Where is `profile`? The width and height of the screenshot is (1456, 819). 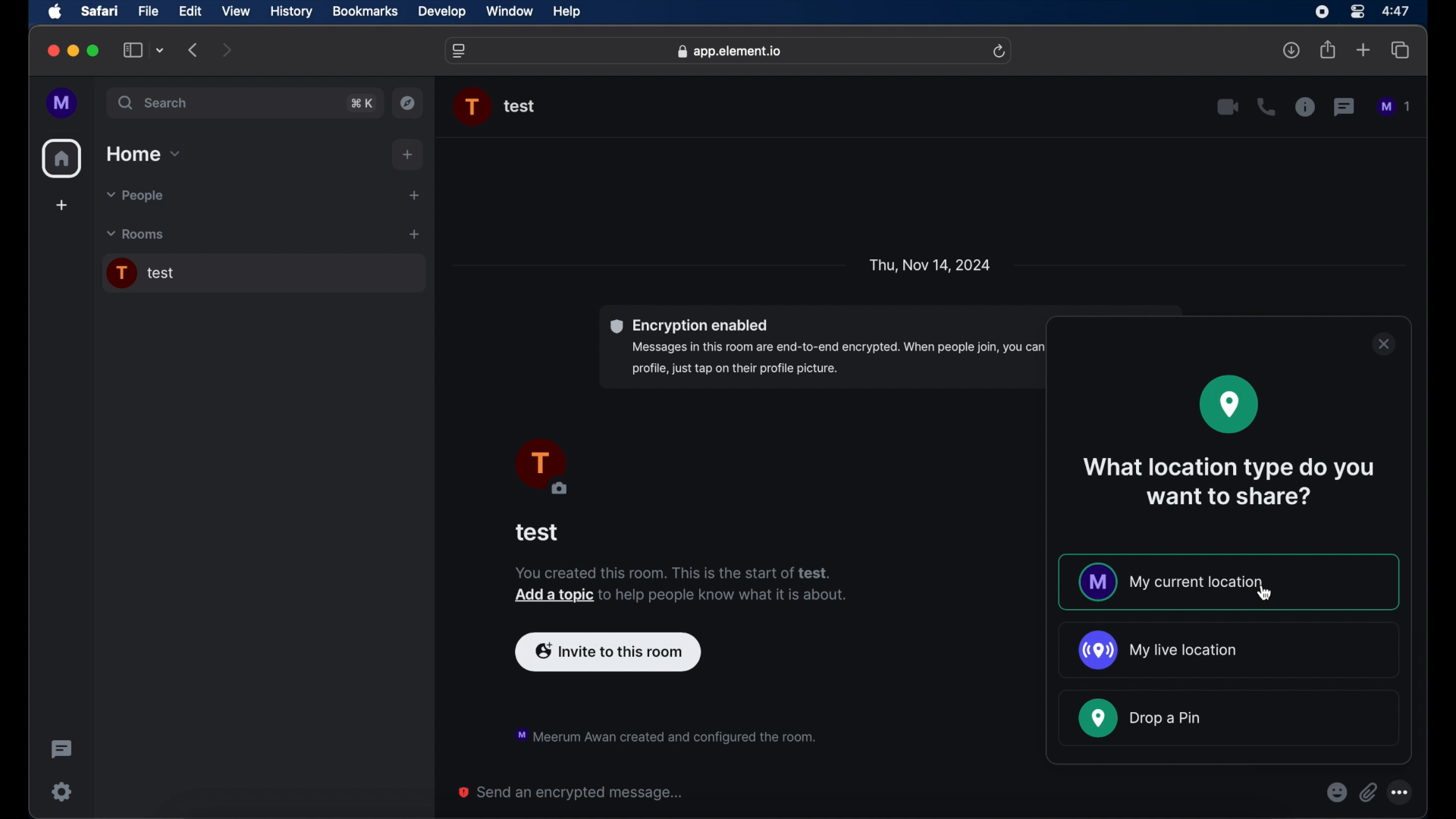 profile is located at coordinates (63, 103).